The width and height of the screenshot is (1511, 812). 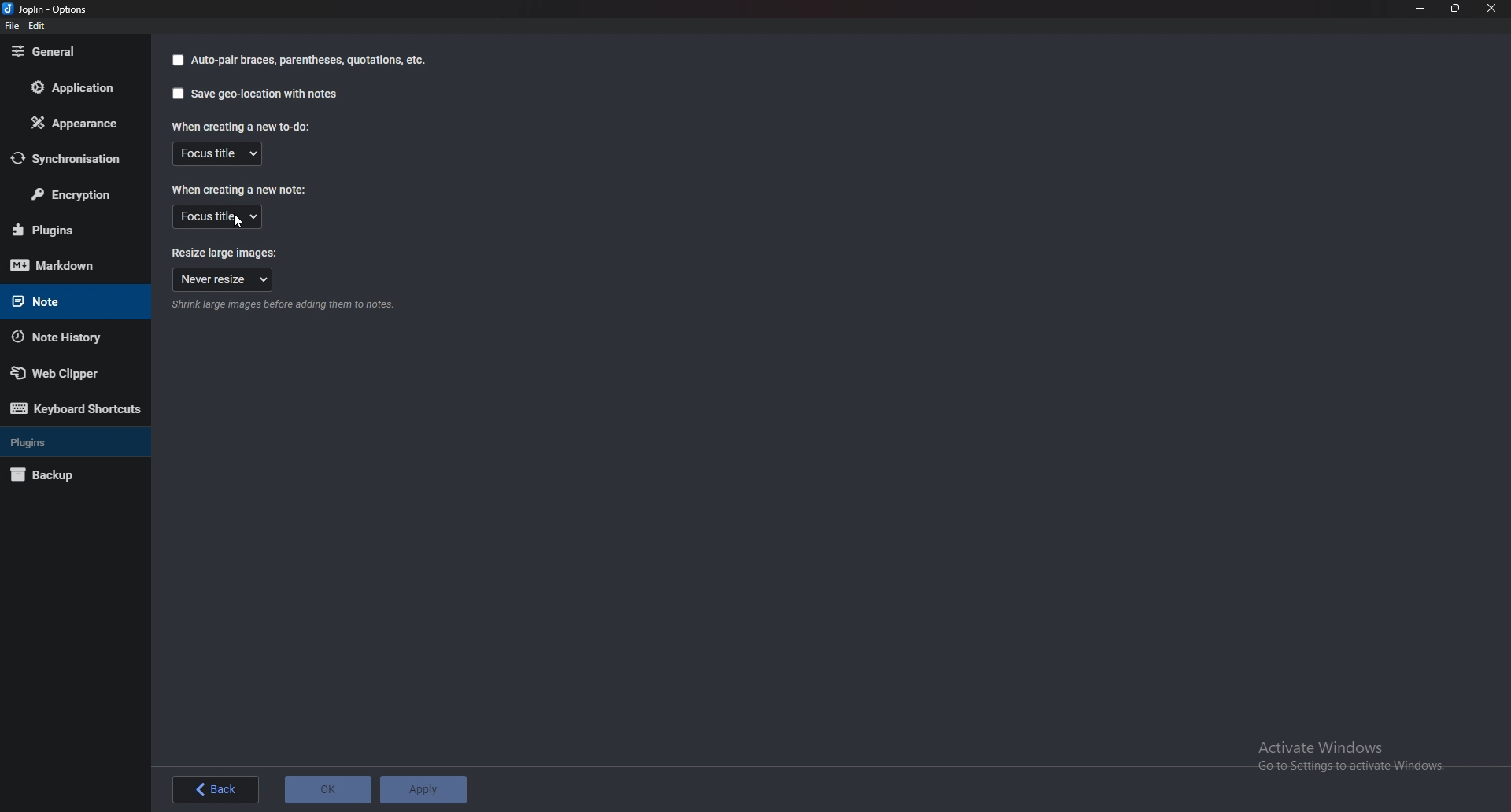 What do you see at coordinates (175, 94) in the screenshot?
I see `Checkbox ` at bounding box center [175, 94].